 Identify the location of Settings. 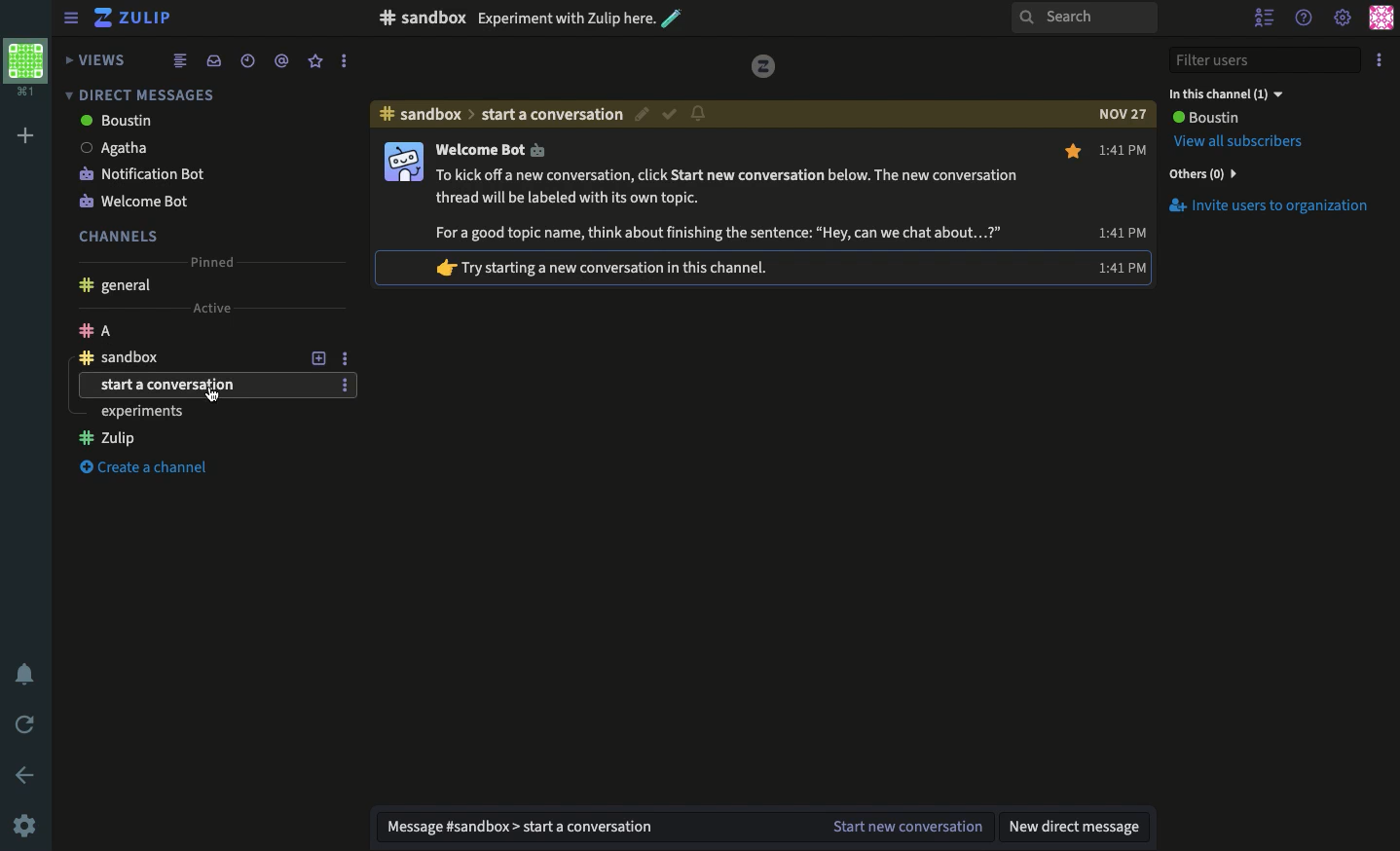
(24, 825).